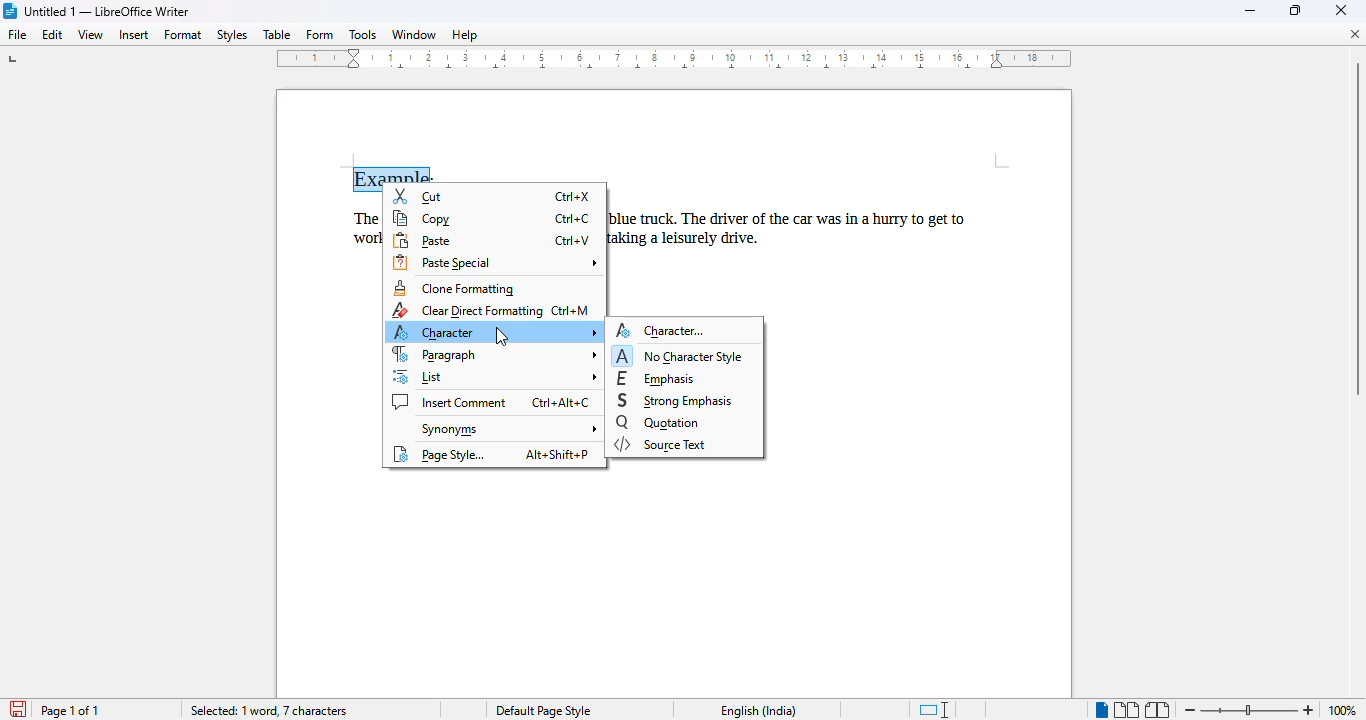  What do you see at coordinates (13, 61) in the screenshot?
I see `tab stop` at bounding box center [13, 61].